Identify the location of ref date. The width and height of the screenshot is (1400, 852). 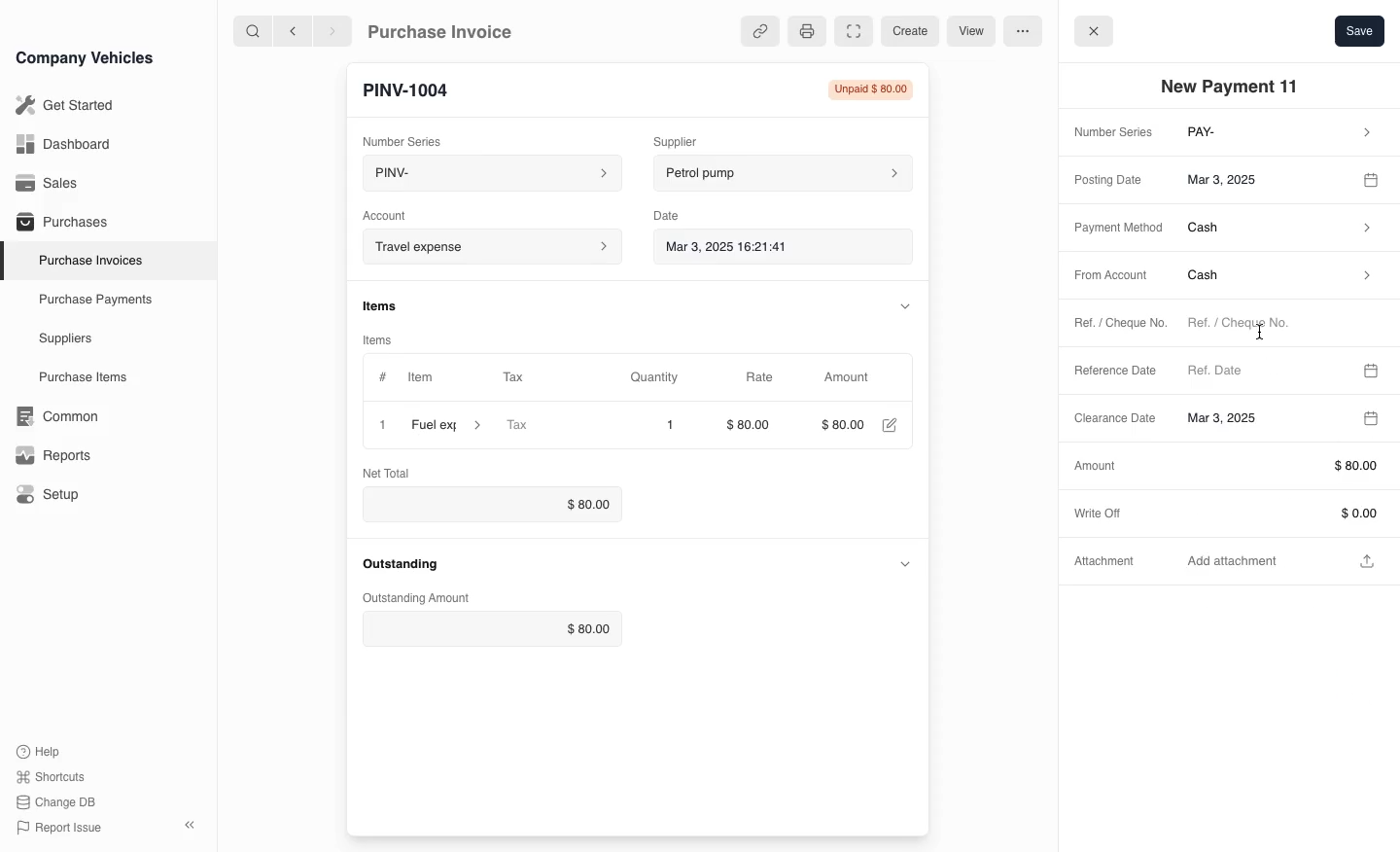
(1264, 369).